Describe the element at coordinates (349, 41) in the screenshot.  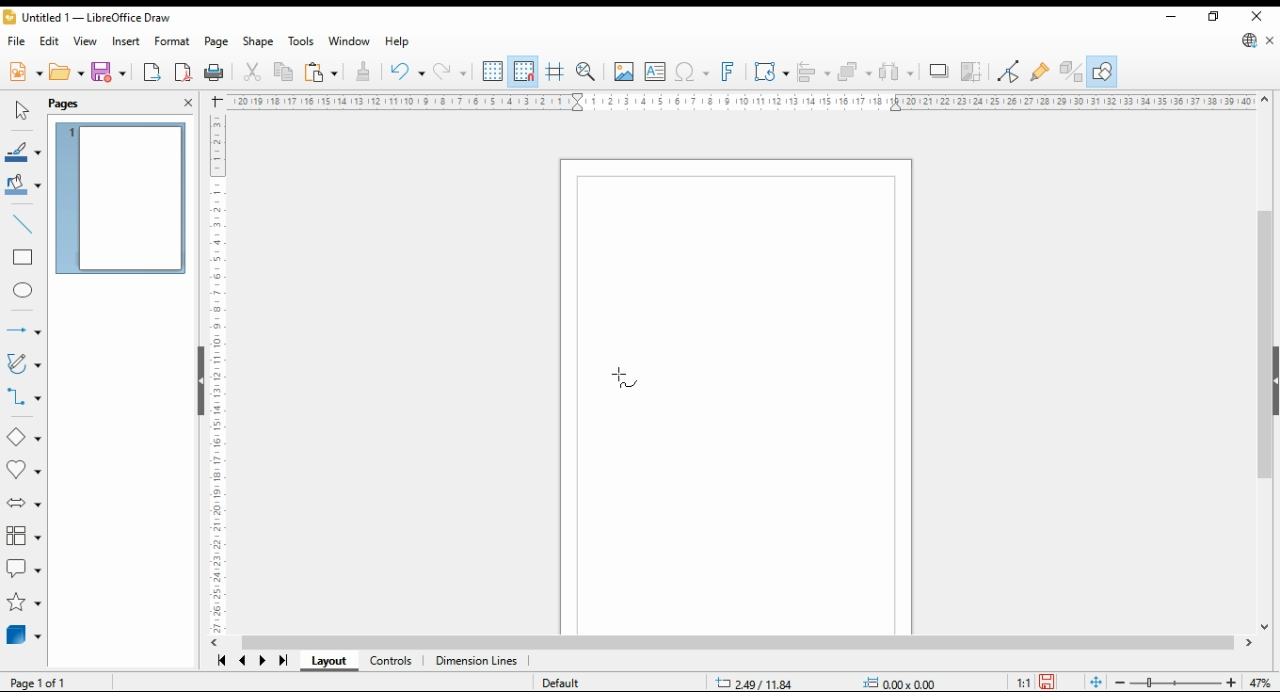
I see `window` at that location.